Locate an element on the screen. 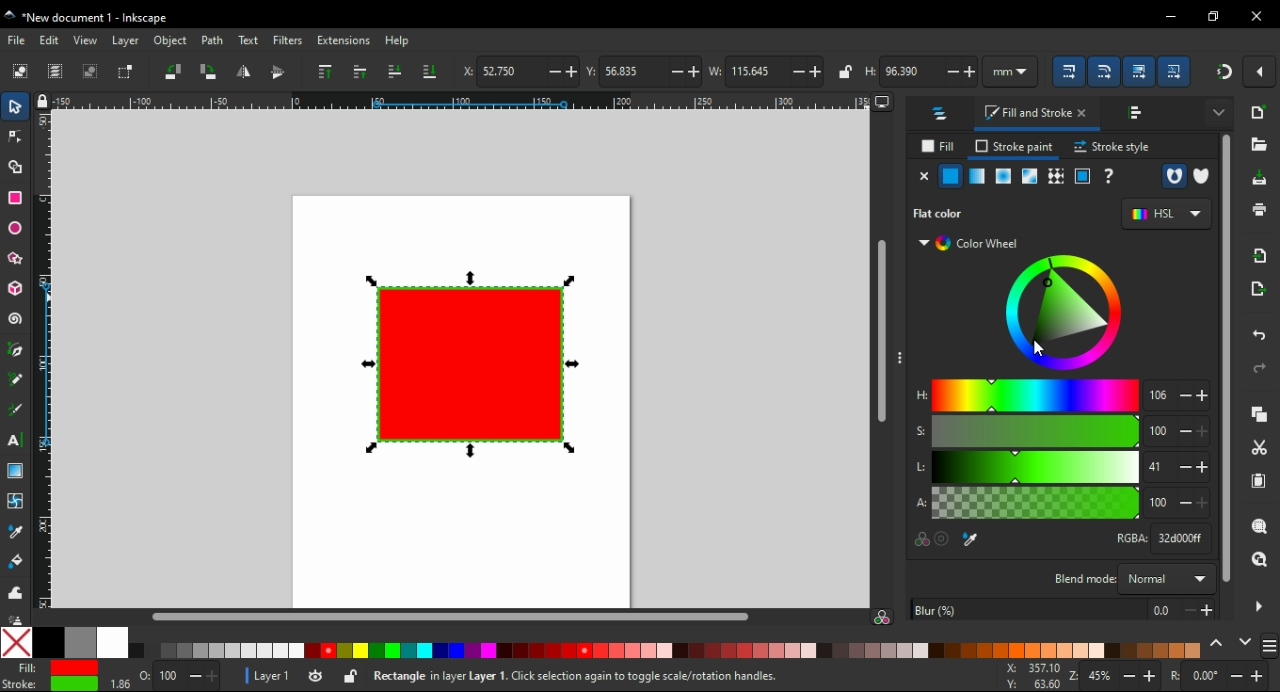 This screenshot has width=1280, height=692. logo is located at coordinates (10, 15).